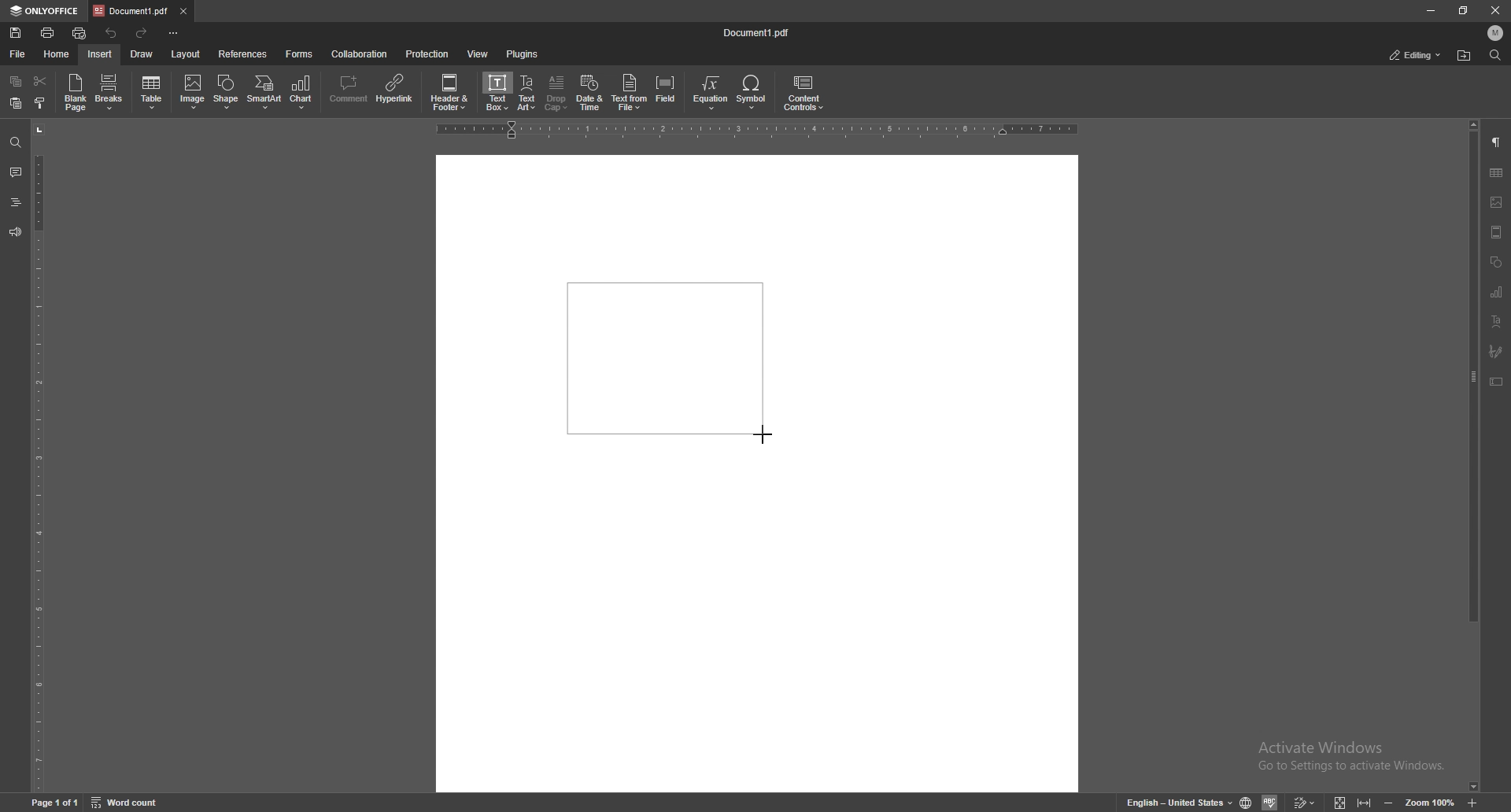  I want to click on content controls, so click(803, 94).